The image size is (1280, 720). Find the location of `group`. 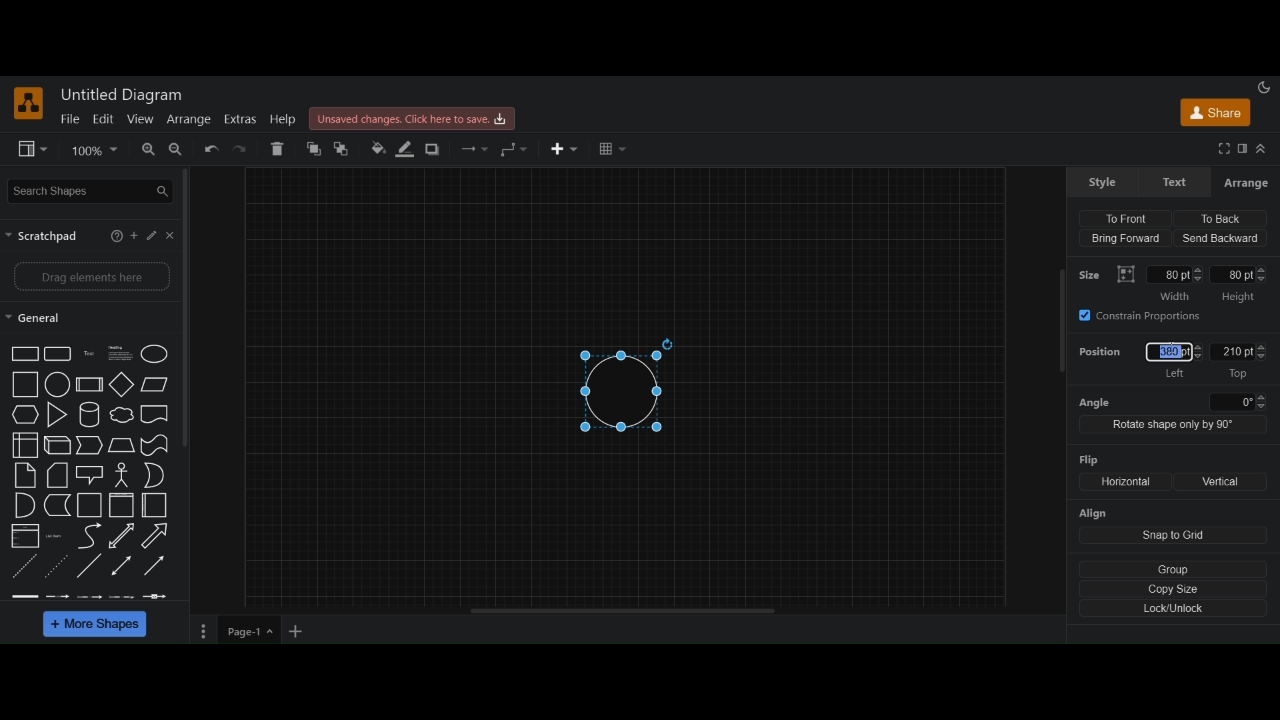

group is located at coordinates (1174, 567).